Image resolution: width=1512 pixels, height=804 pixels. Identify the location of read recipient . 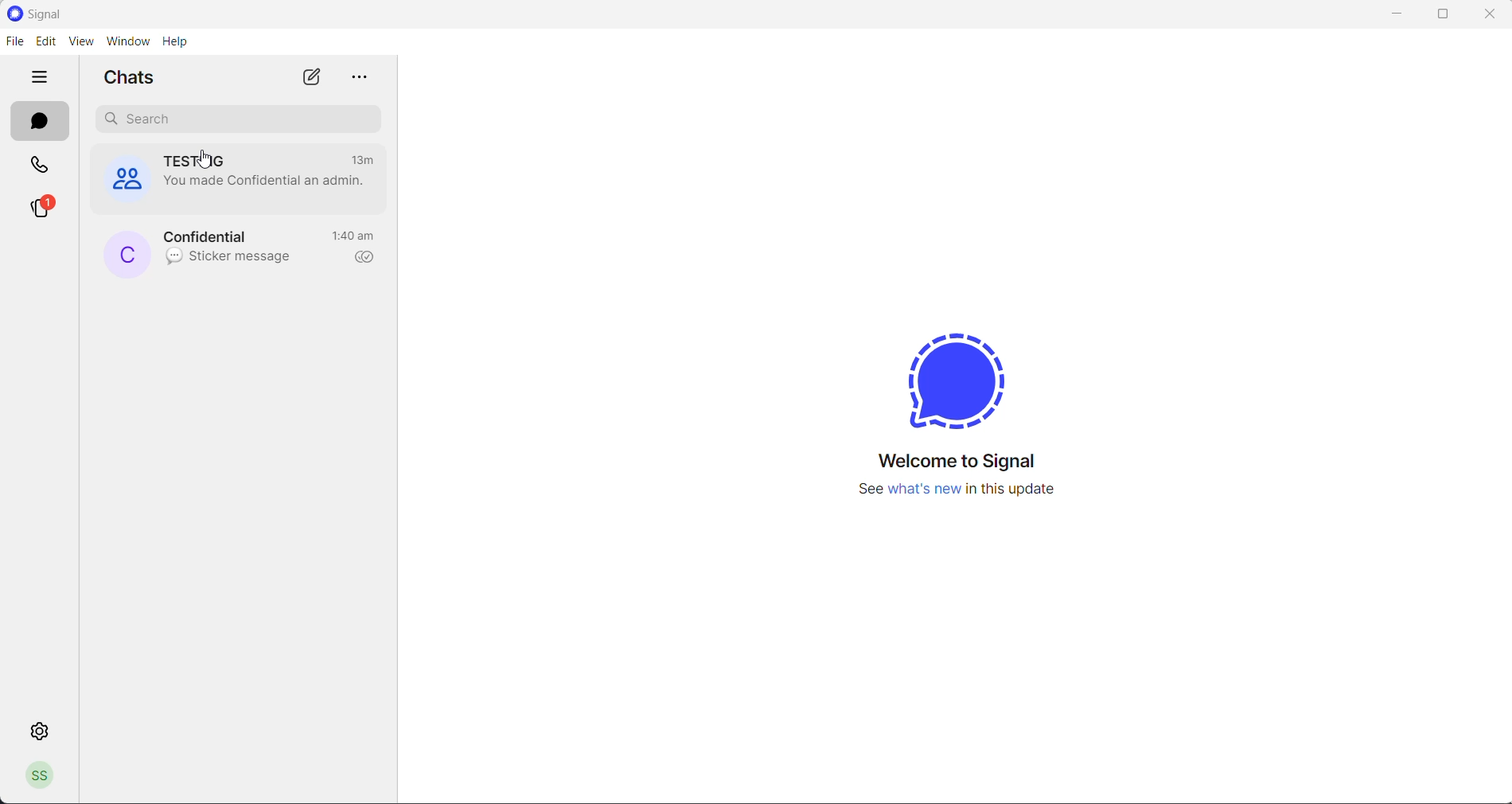
(365, 259).